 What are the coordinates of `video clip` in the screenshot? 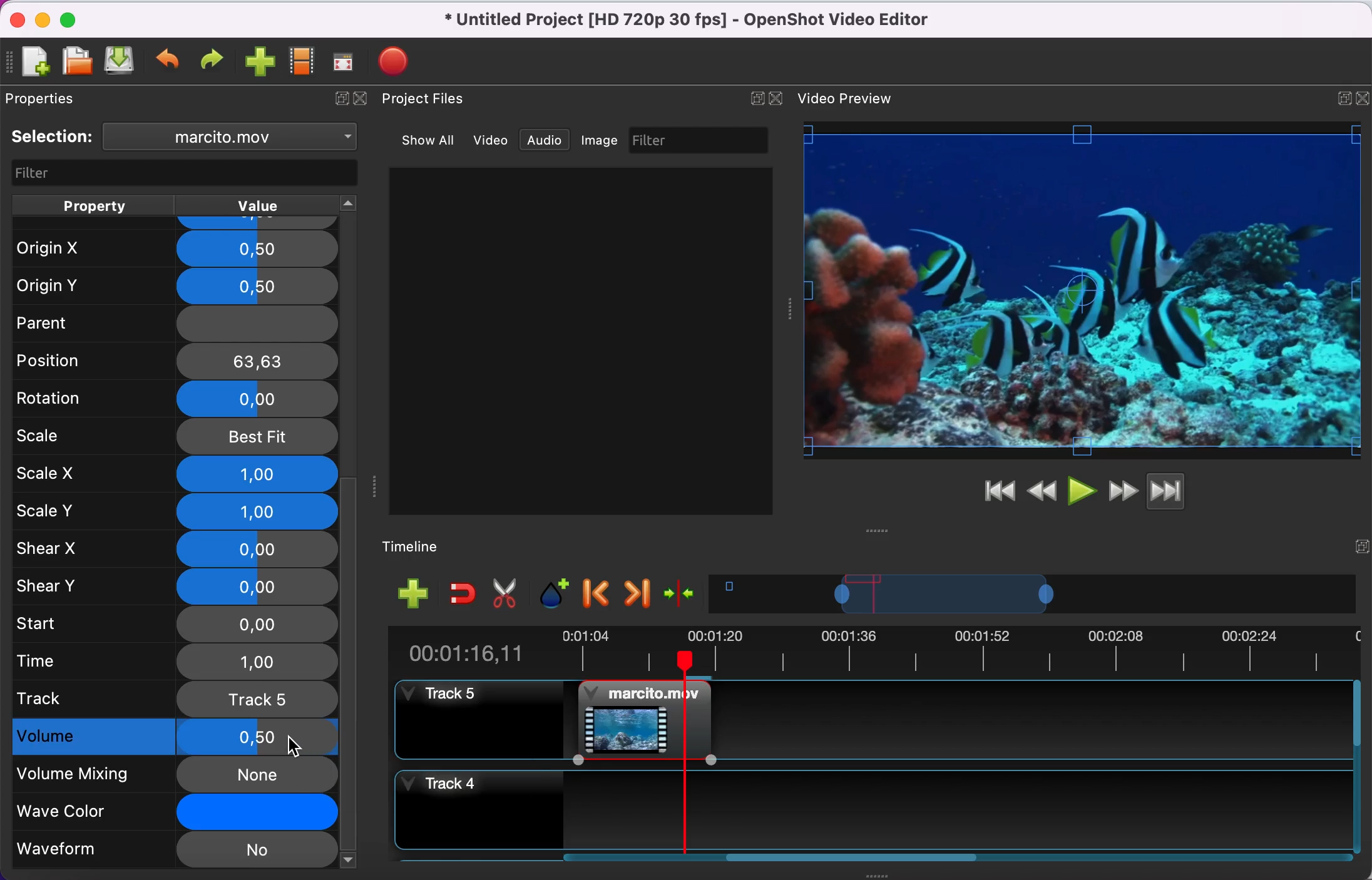 It's located at (636, 720).